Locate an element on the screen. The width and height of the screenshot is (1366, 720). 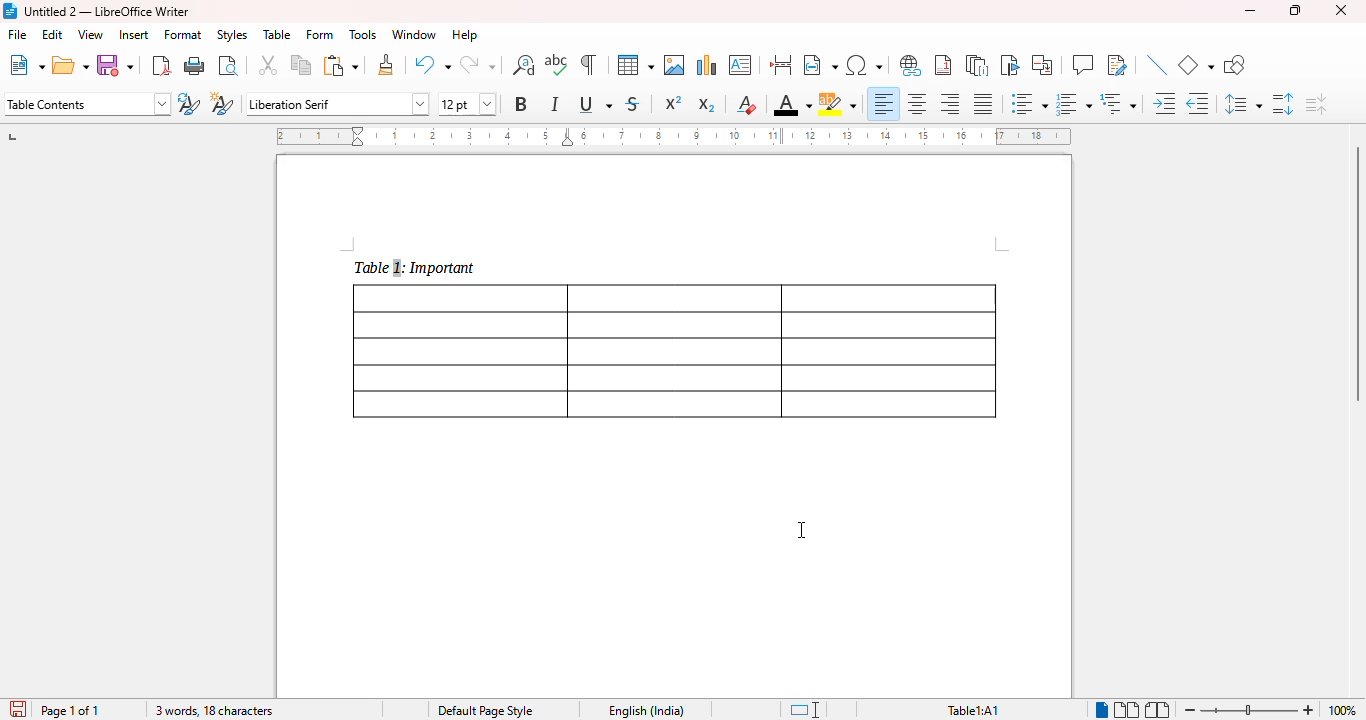
page style is located at coordinates (486, 710).